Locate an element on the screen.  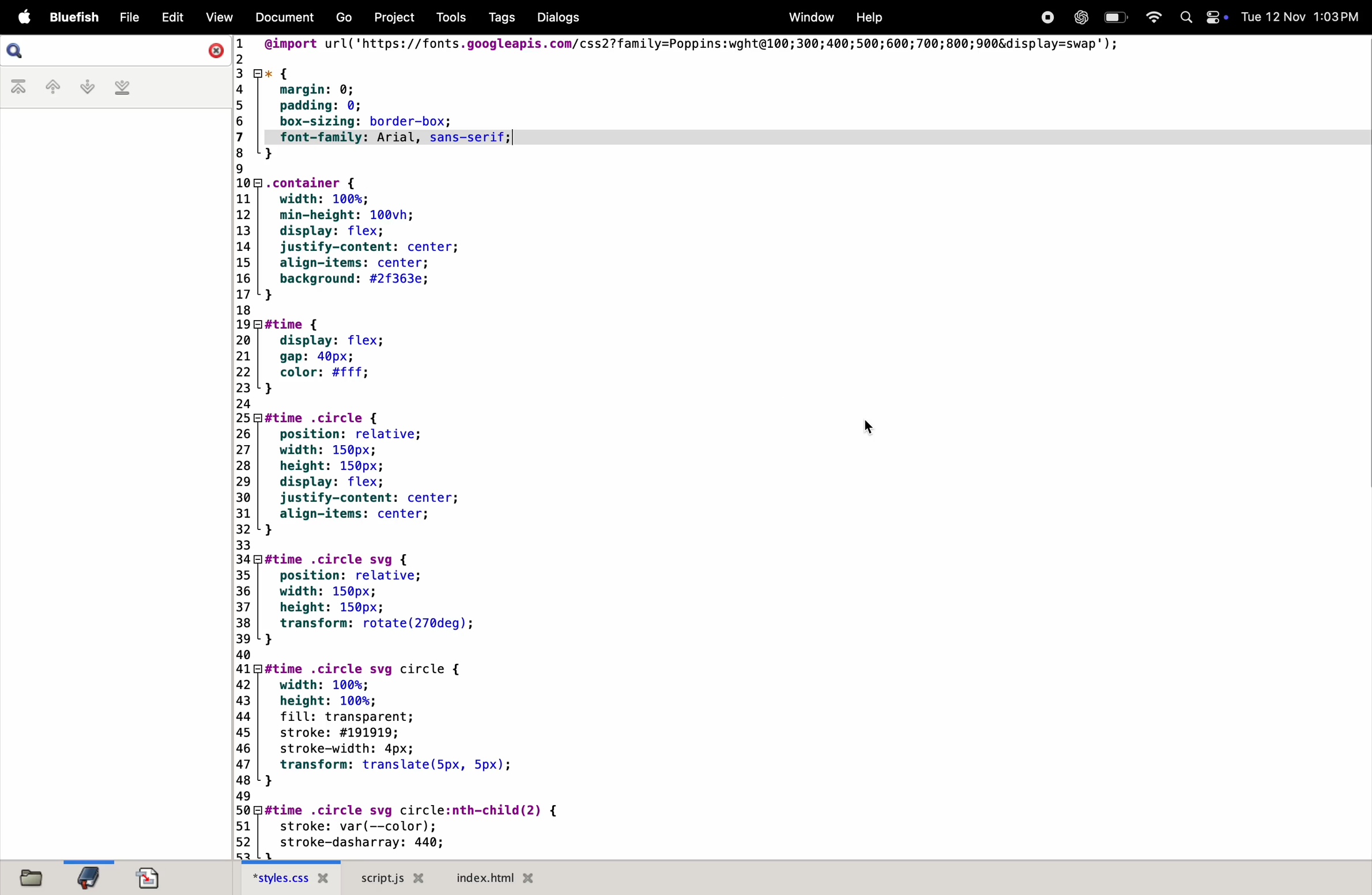
Next bookmark is located at coordinates (87, 86).